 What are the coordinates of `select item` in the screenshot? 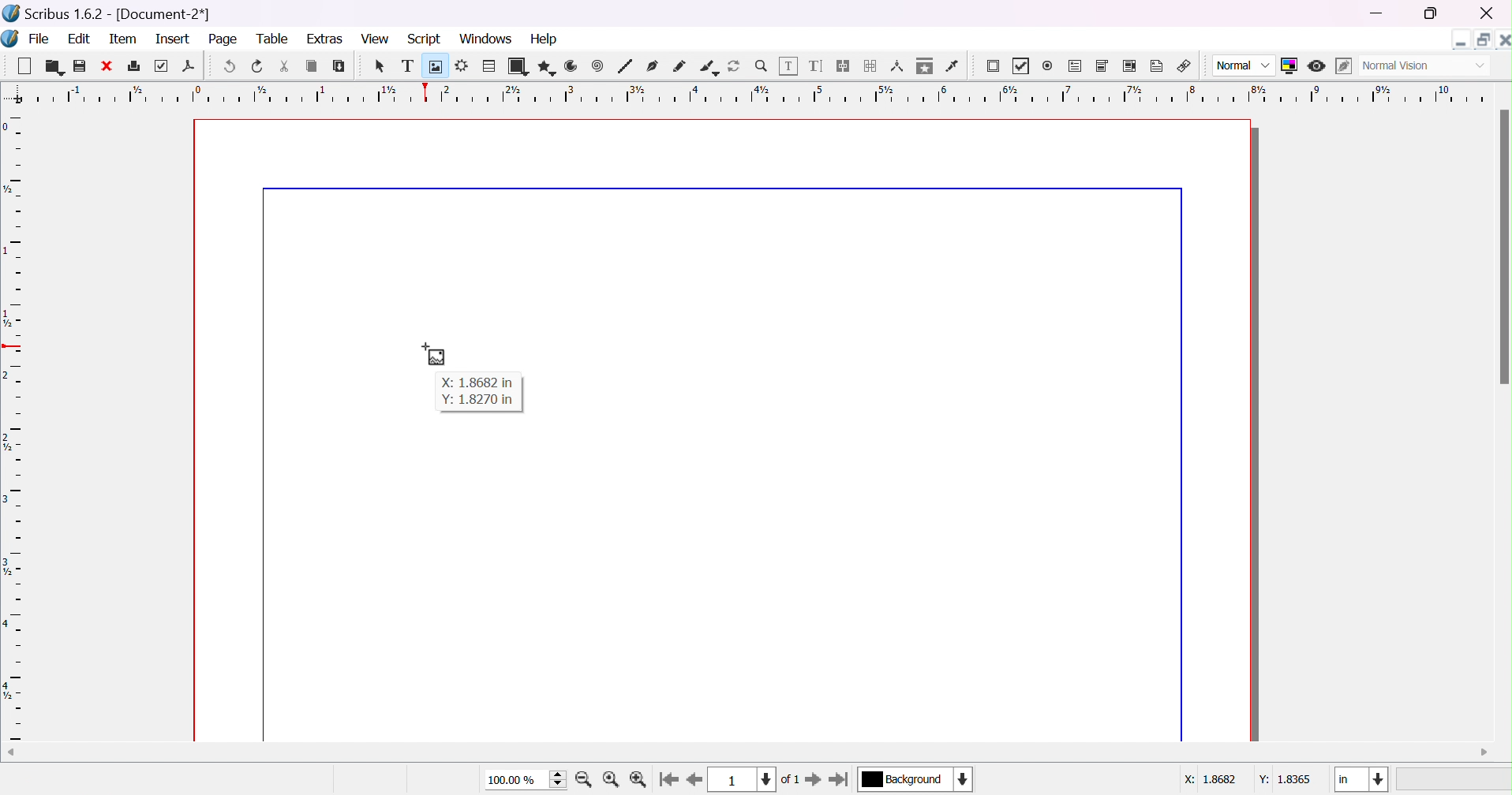 It's located at (382, 68).